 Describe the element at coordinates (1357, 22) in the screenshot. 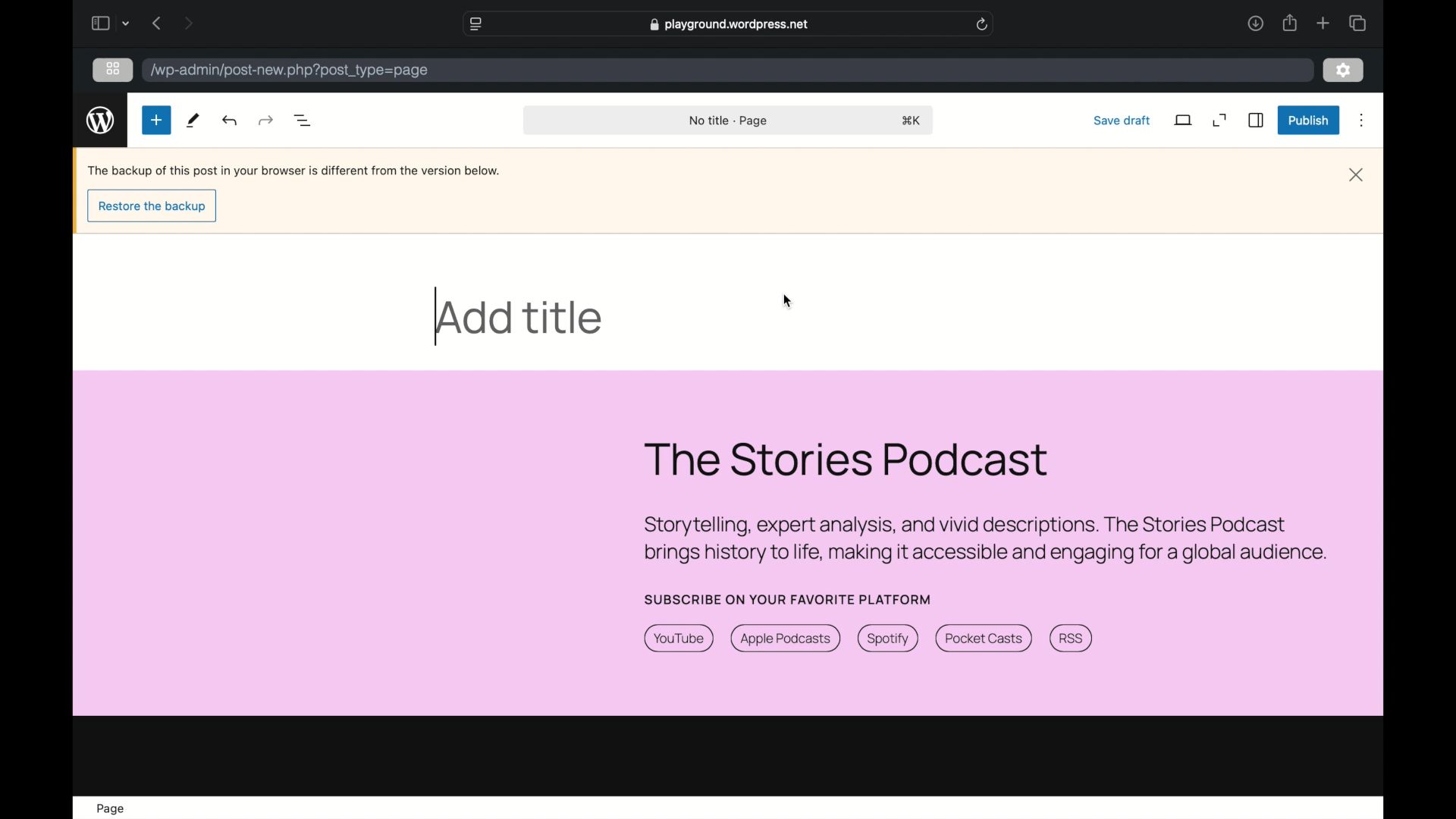

I see `show tab overview` at that location.